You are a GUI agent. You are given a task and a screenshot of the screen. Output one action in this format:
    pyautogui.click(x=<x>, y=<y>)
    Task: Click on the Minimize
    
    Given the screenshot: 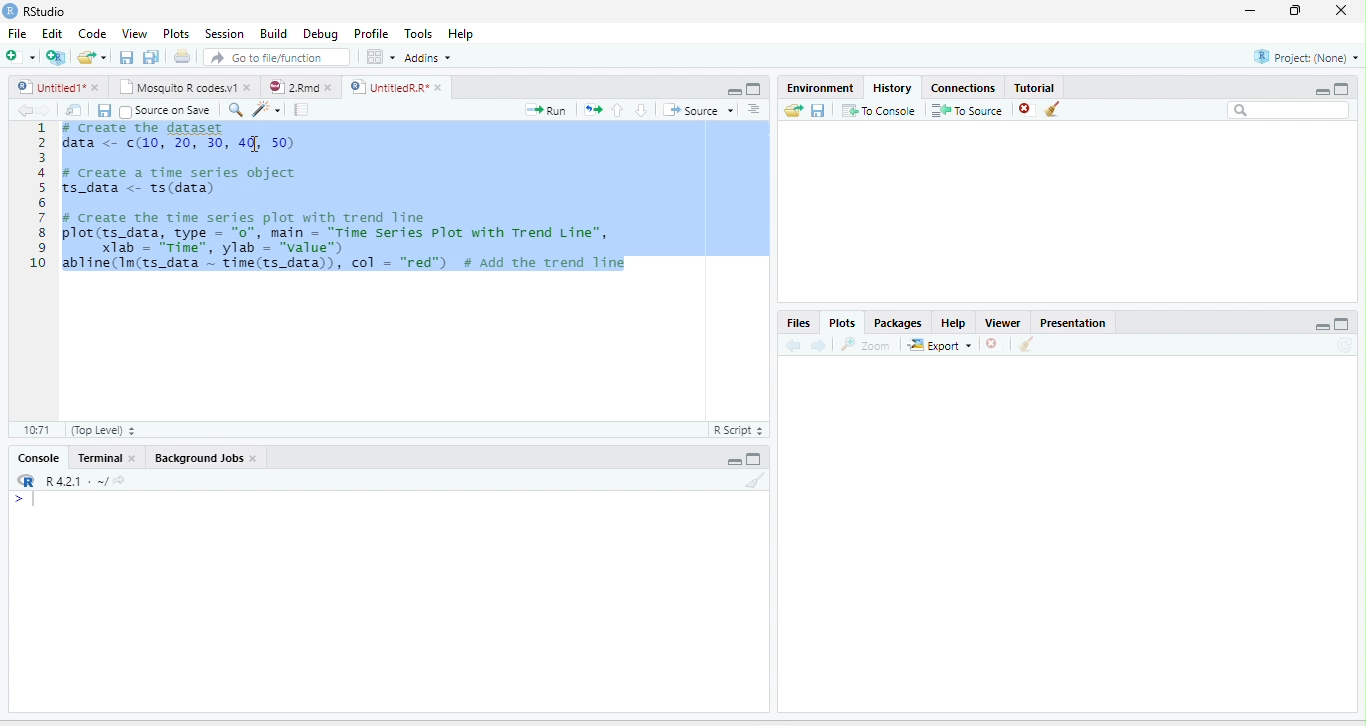 What is the action you would take?
    pyautogui.click(x=733, y=92)
    